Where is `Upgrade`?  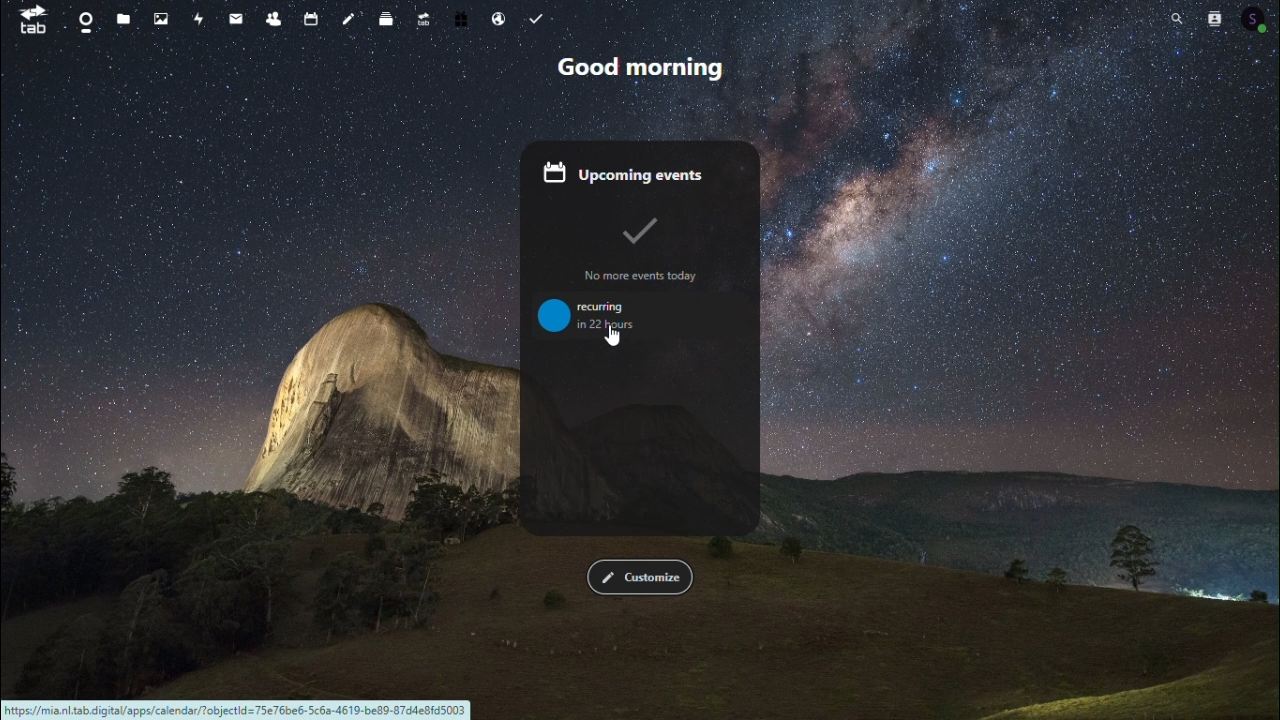 Upgrade is located at coordinates (424, 16).